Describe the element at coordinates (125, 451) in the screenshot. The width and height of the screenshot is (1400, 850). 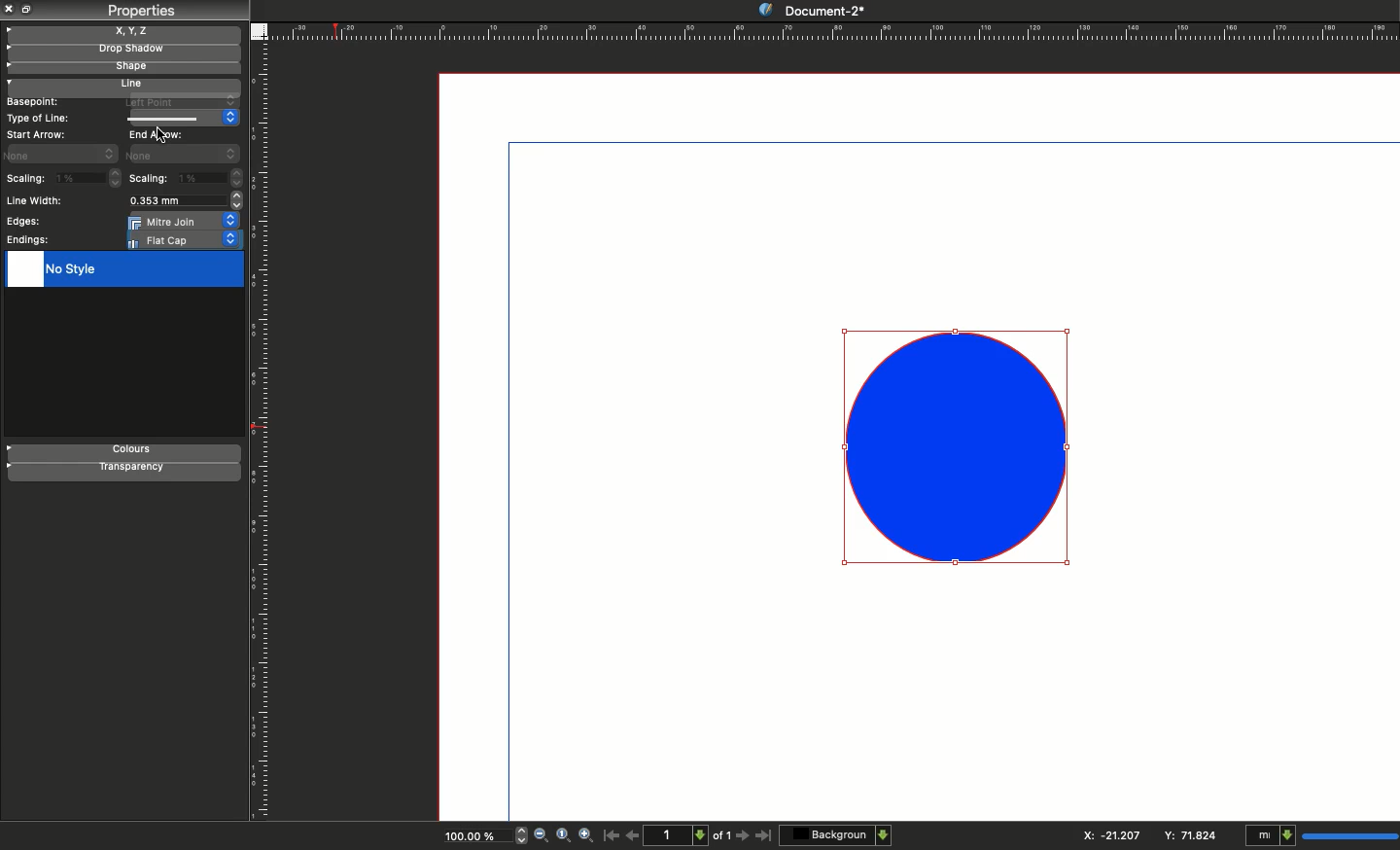
I see `colors` at that location.